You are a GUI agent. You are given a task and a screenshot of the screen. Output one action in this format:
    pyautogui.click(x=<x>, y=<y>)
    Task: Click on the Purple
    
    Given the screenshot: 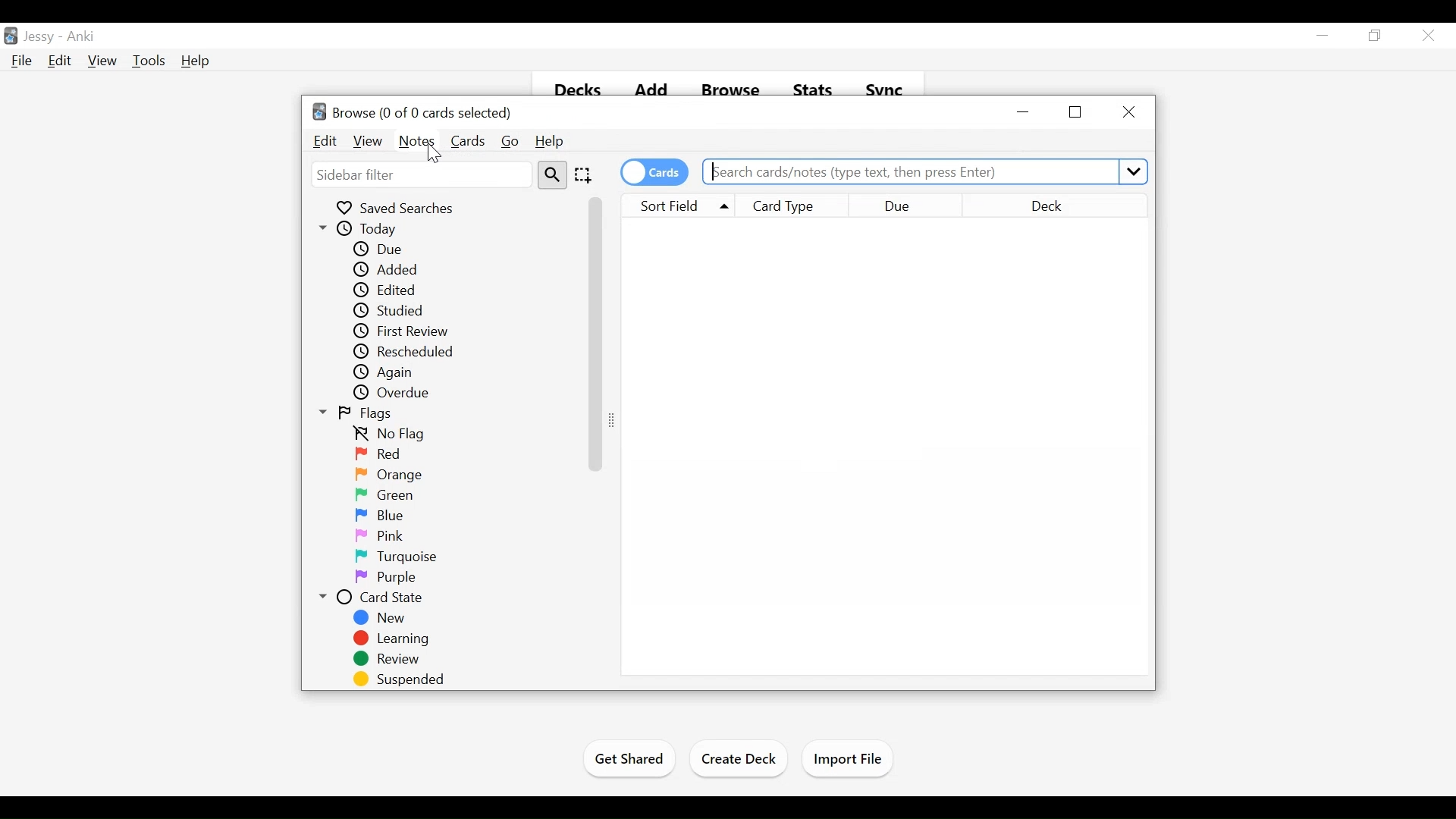 What is the action you would take?
    pyautogui.click(x=385, y=578)
    